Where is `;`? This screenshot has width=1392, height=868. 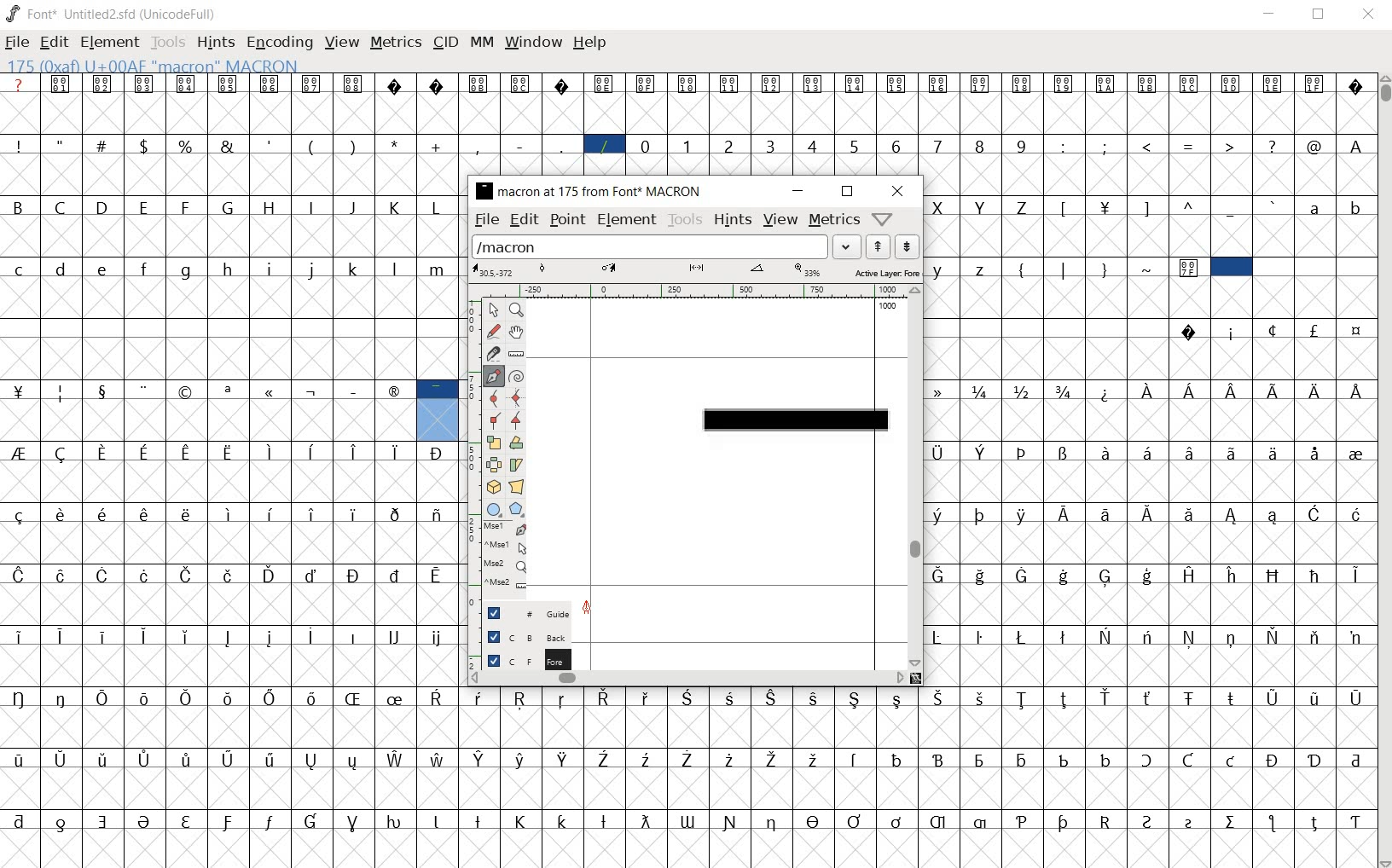 ; is located at coordinates (1106, 146).